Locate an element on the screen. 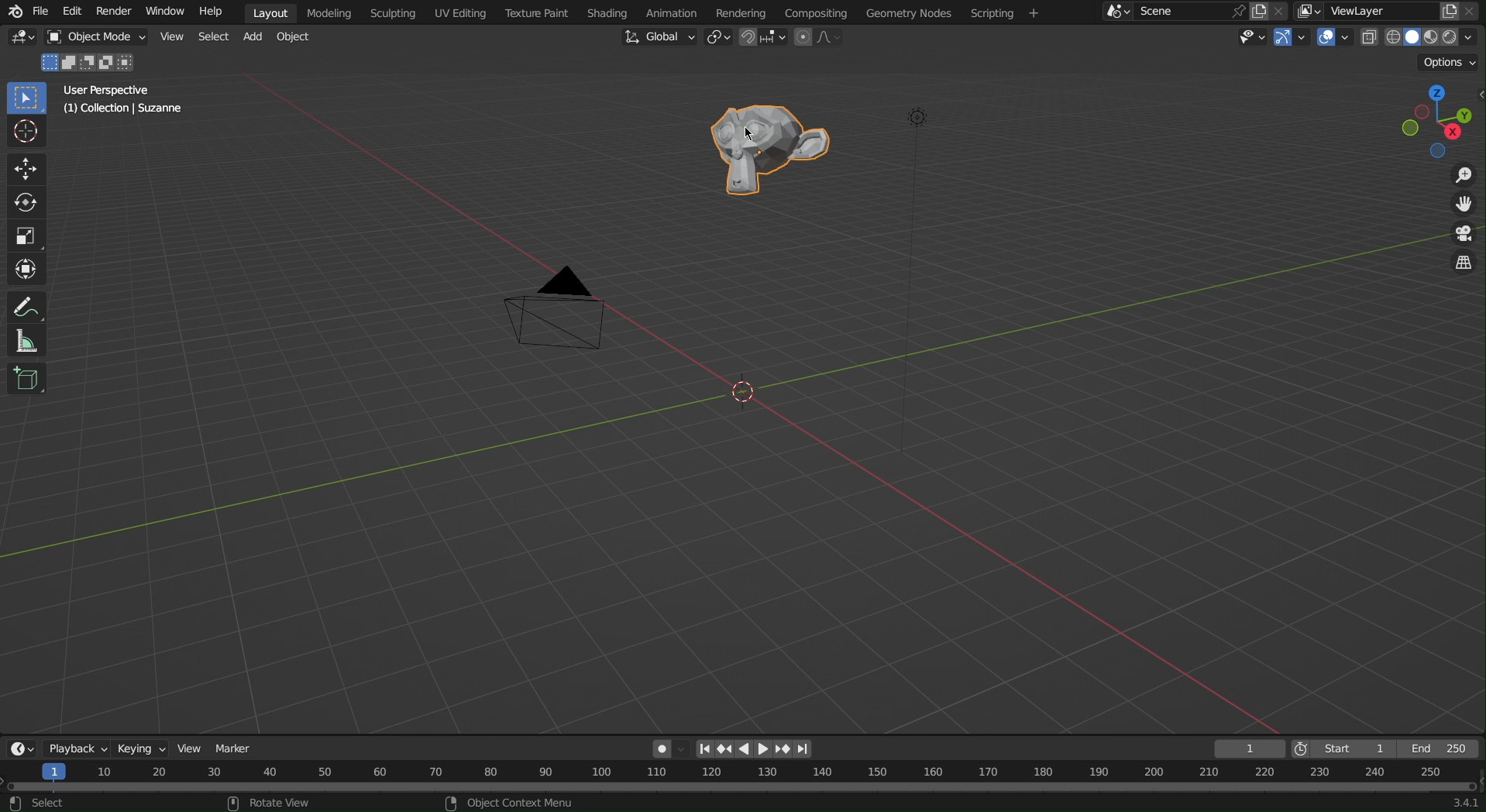 This screenshot has height=812, width=1486. icon is located at coordinates (451, 803).